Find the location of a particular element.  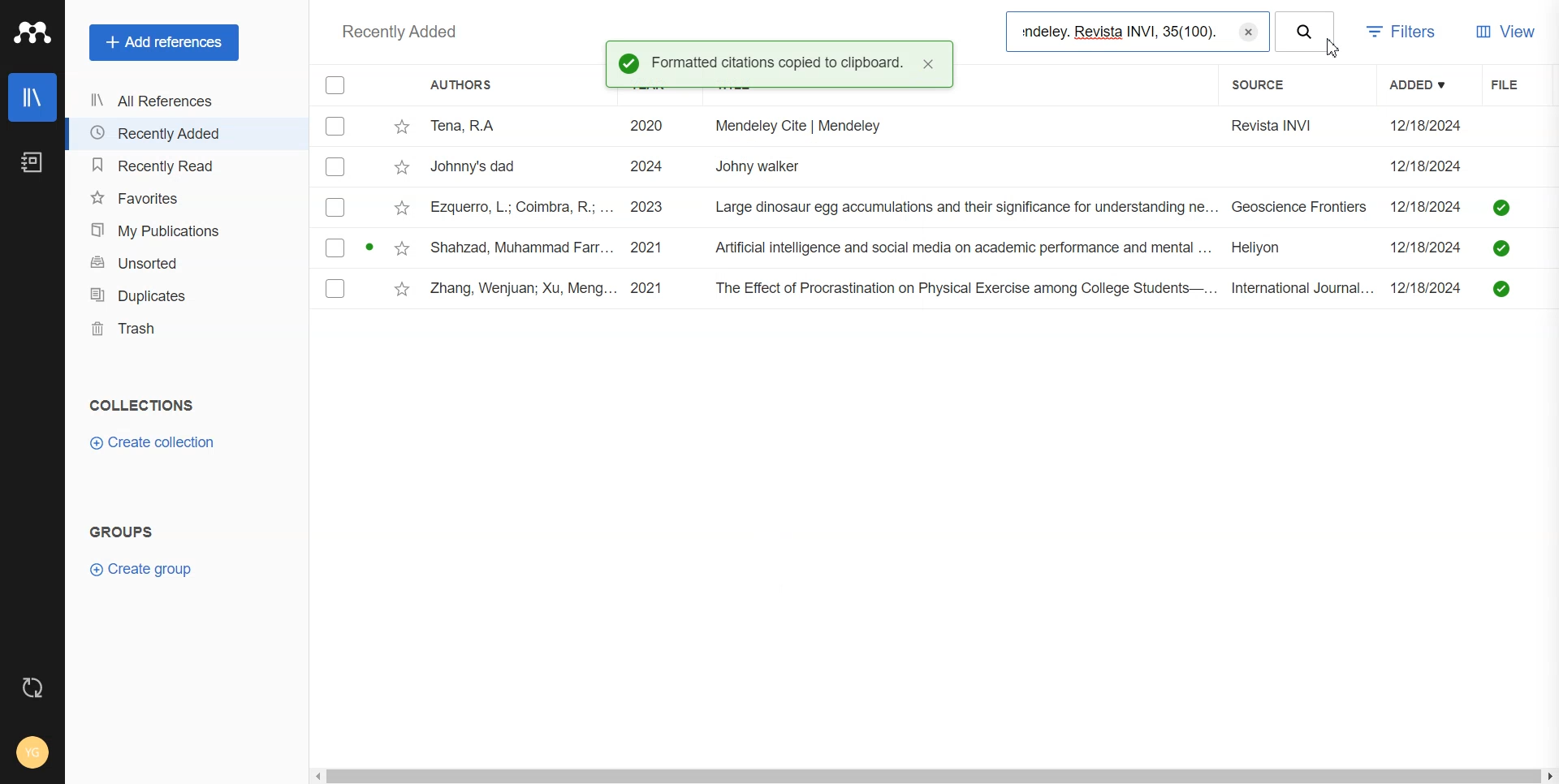

Checkbox is located at coordinates (338, 166).